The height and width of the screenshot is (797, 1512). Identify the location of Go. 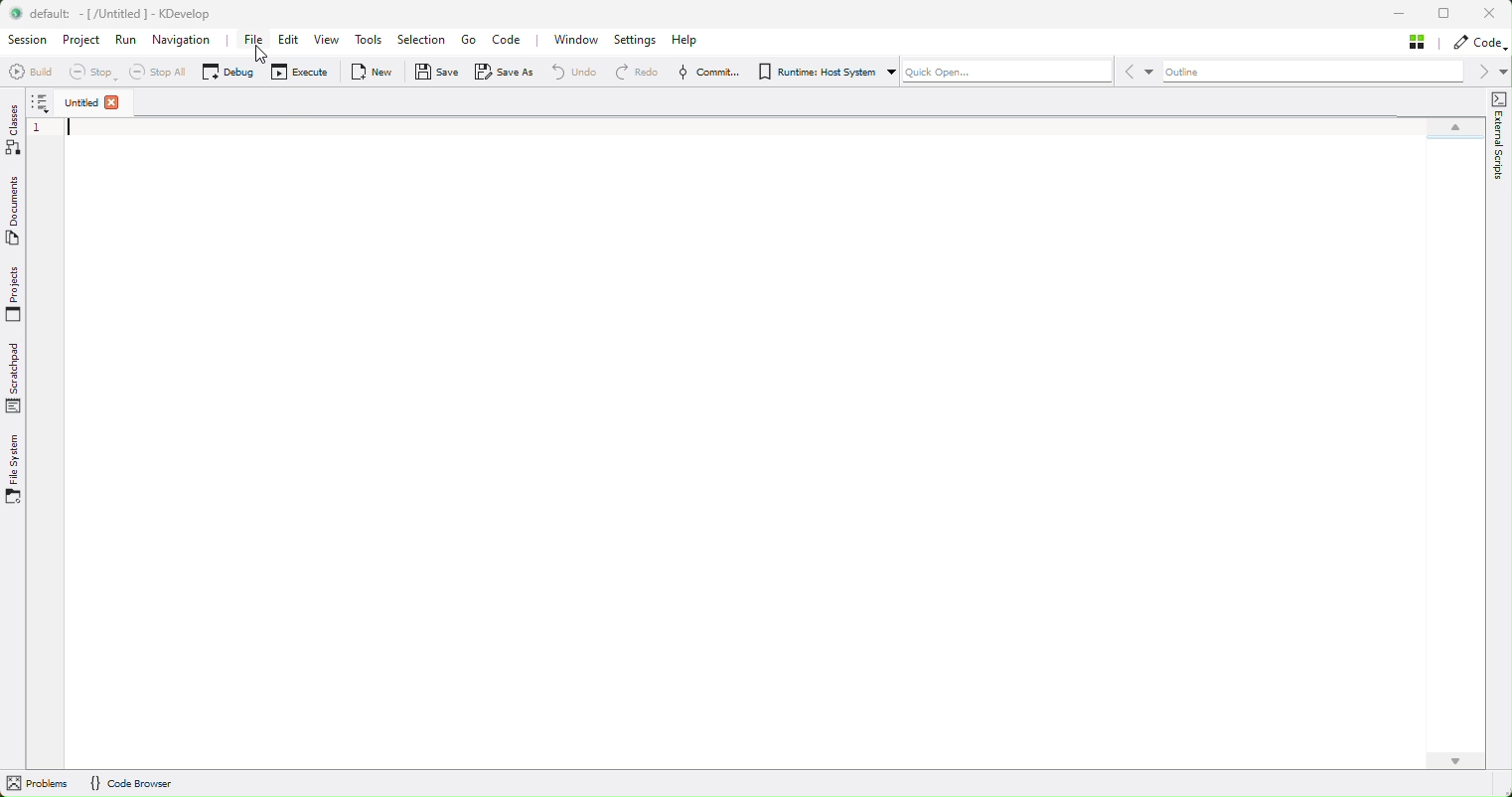
(469, 40).